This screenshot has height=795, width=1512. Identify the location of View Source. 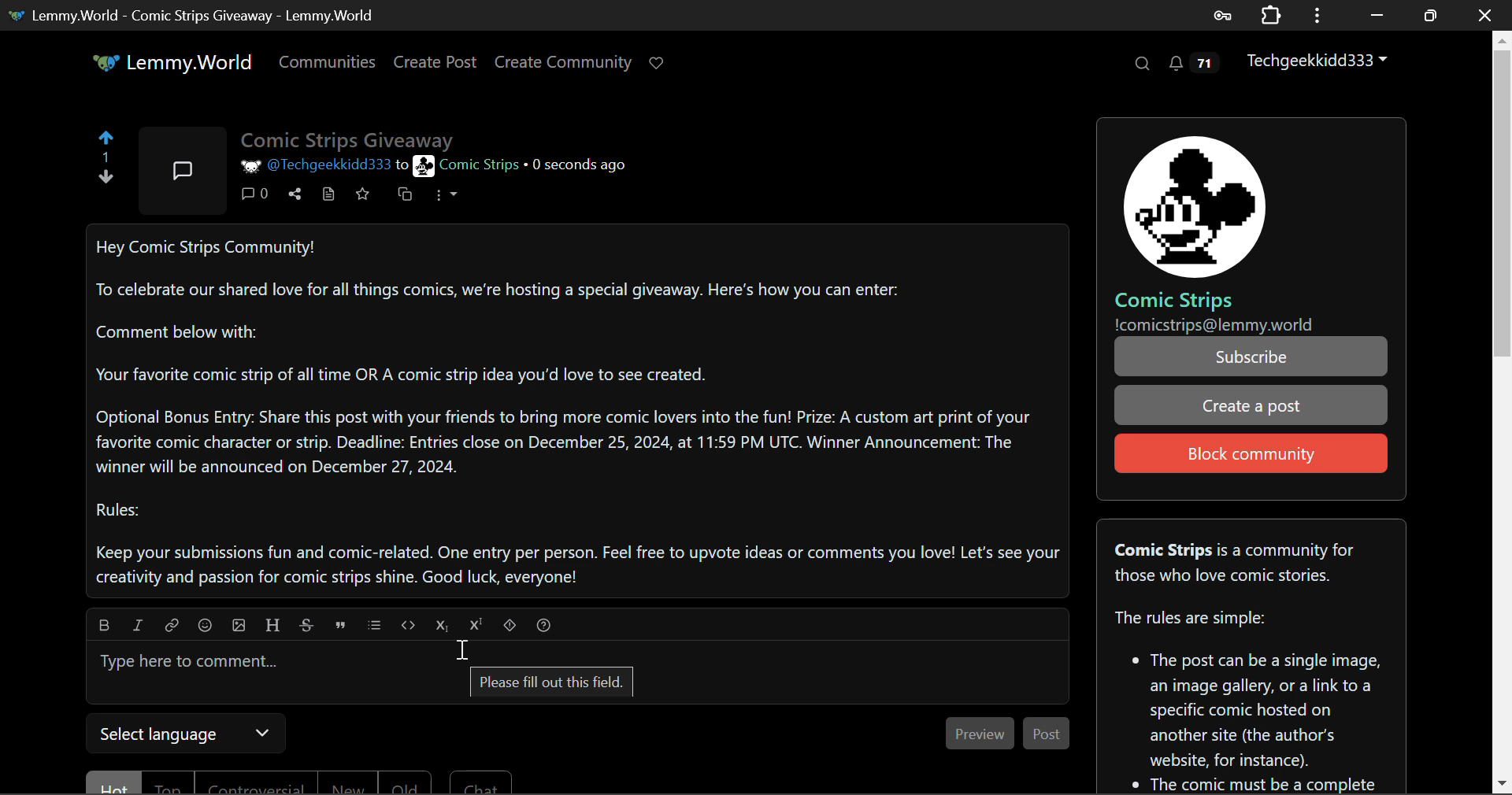
(327, 197).